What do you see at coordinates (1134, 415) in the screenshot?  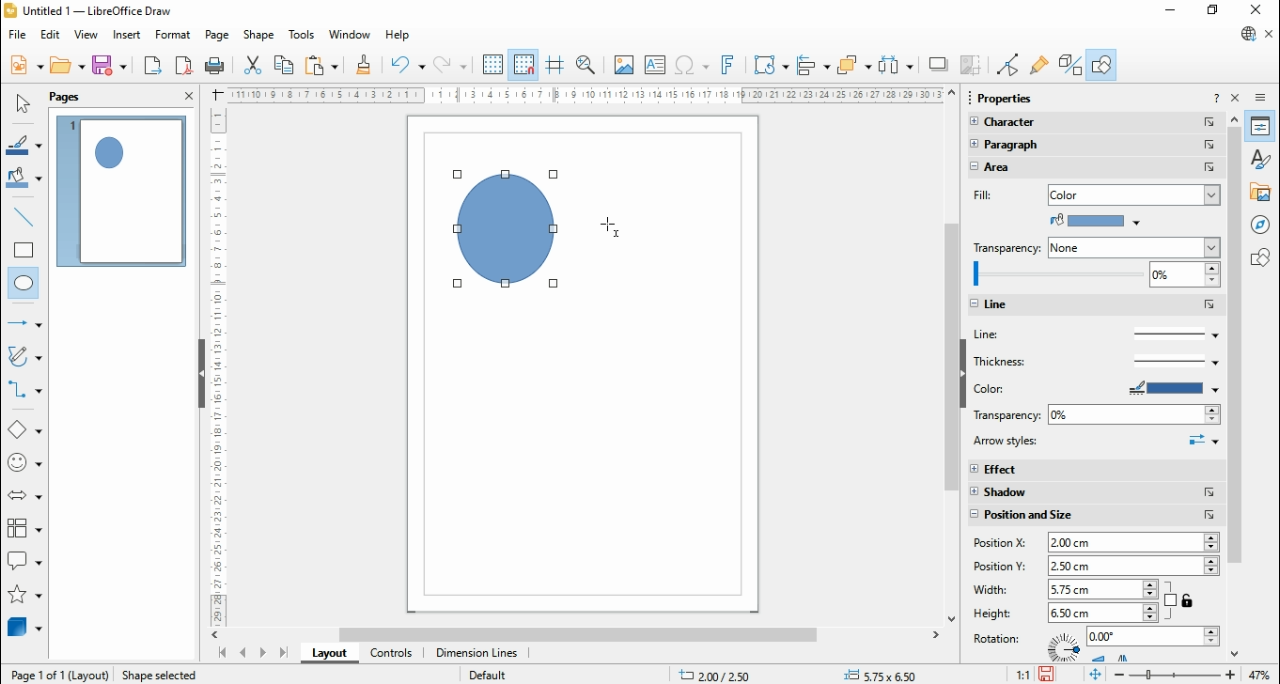 I see `0%` at bounding box center [1134, 415].